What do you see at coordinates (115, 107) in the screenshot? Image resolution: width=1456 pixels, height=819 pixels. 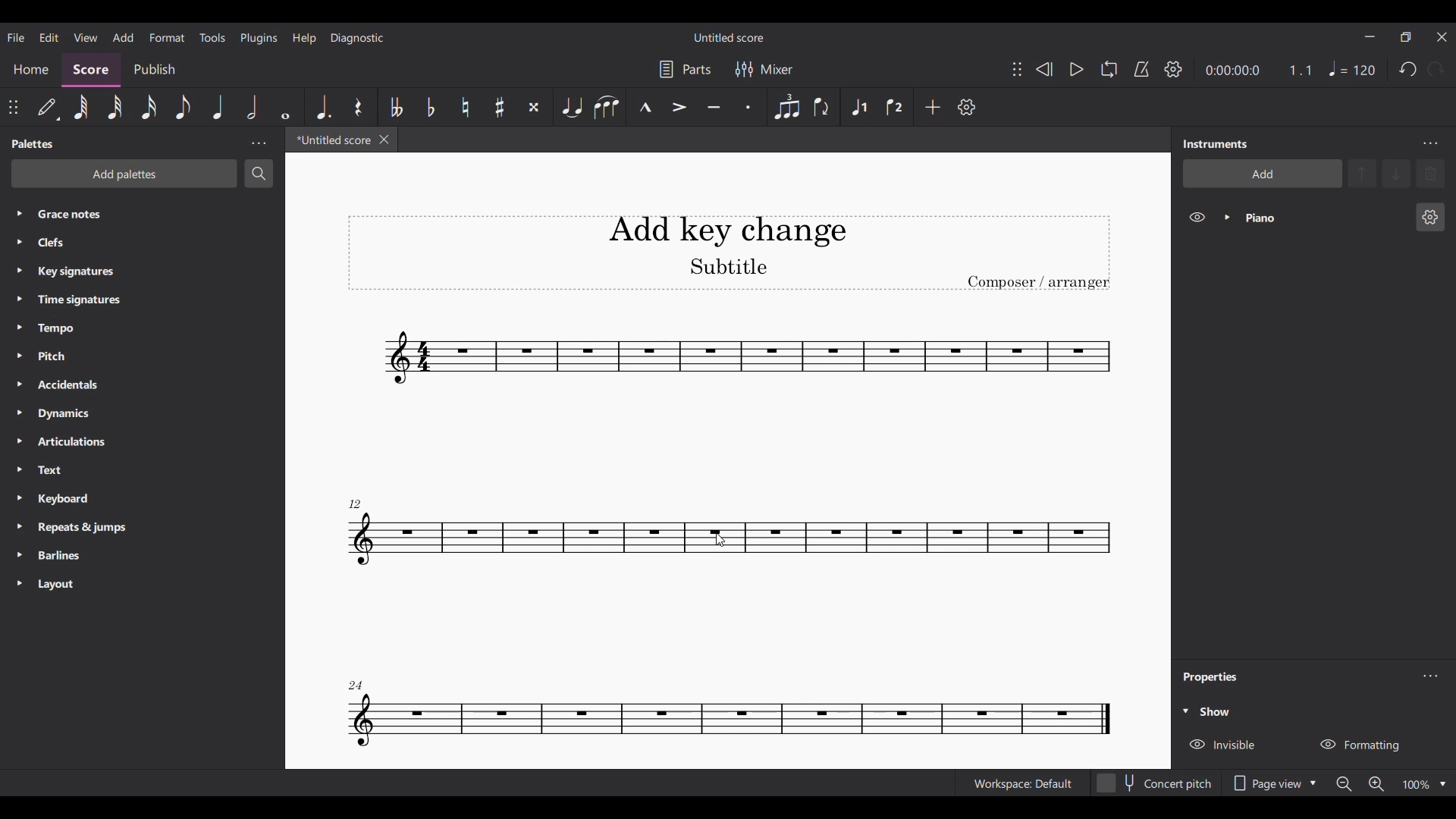 I see `32nd note` at bounding box center [115, 107].